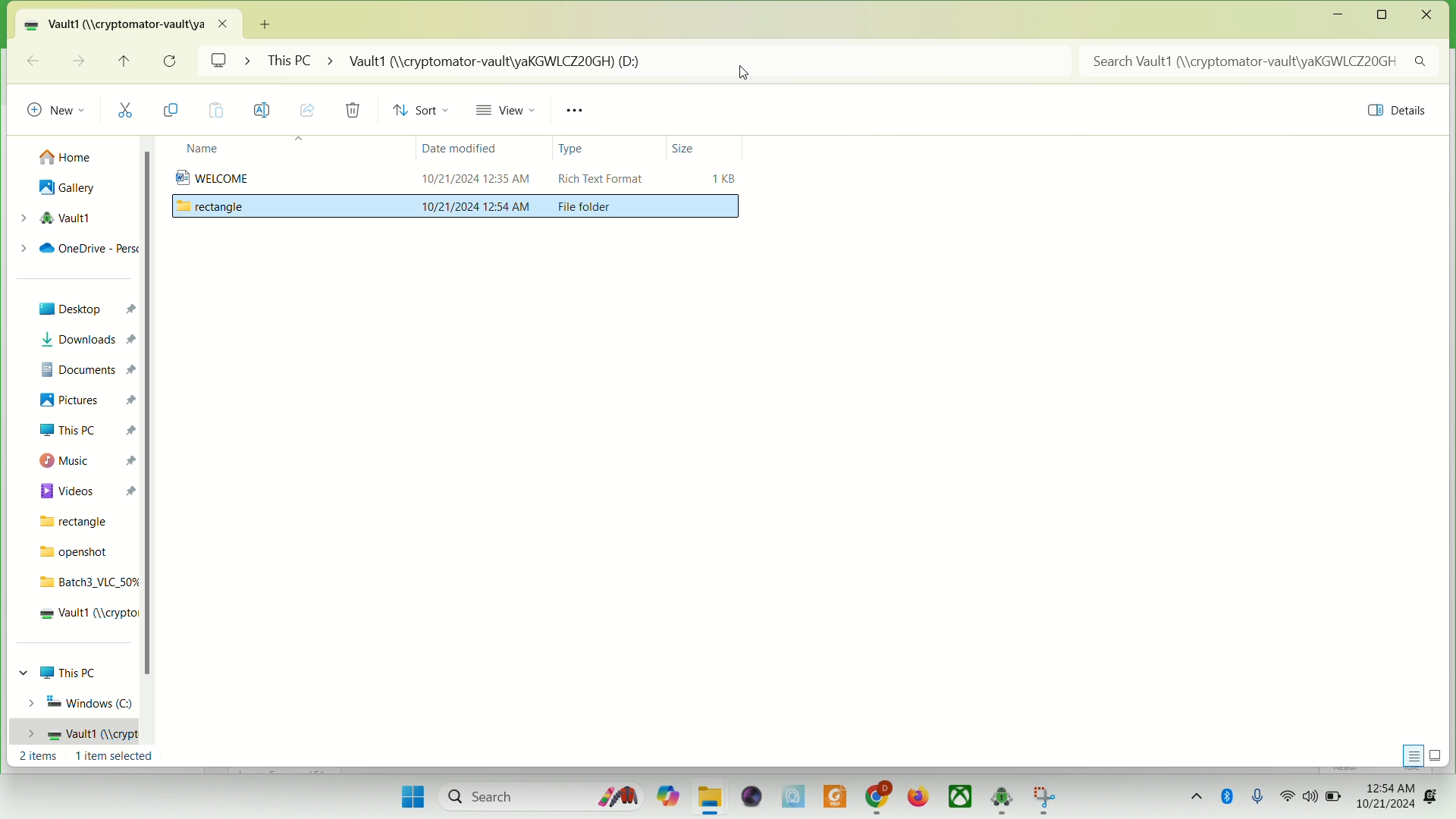 This screenshot has height=819, width=1456. Describe the element at coordinates (85, 582) in the screenshot. I see `batch3` at that location.